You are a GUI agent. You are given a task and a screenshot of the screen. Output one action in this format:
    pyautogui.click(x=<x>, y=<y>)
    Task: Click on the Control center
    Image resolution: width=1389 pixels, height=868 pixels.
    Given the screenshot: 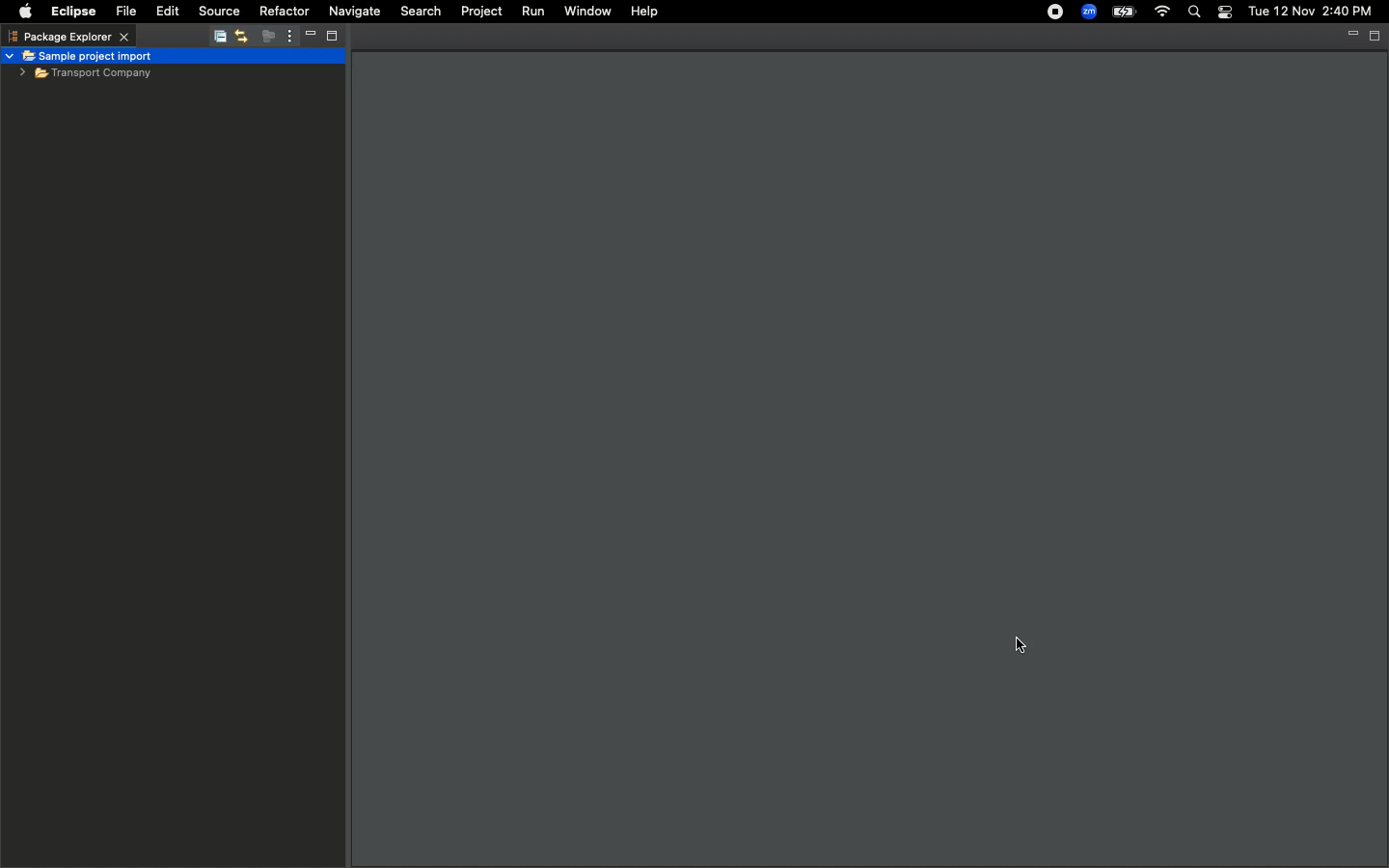 What is the action you would take?
    pyautogui.click(x=1223, y=13)
    